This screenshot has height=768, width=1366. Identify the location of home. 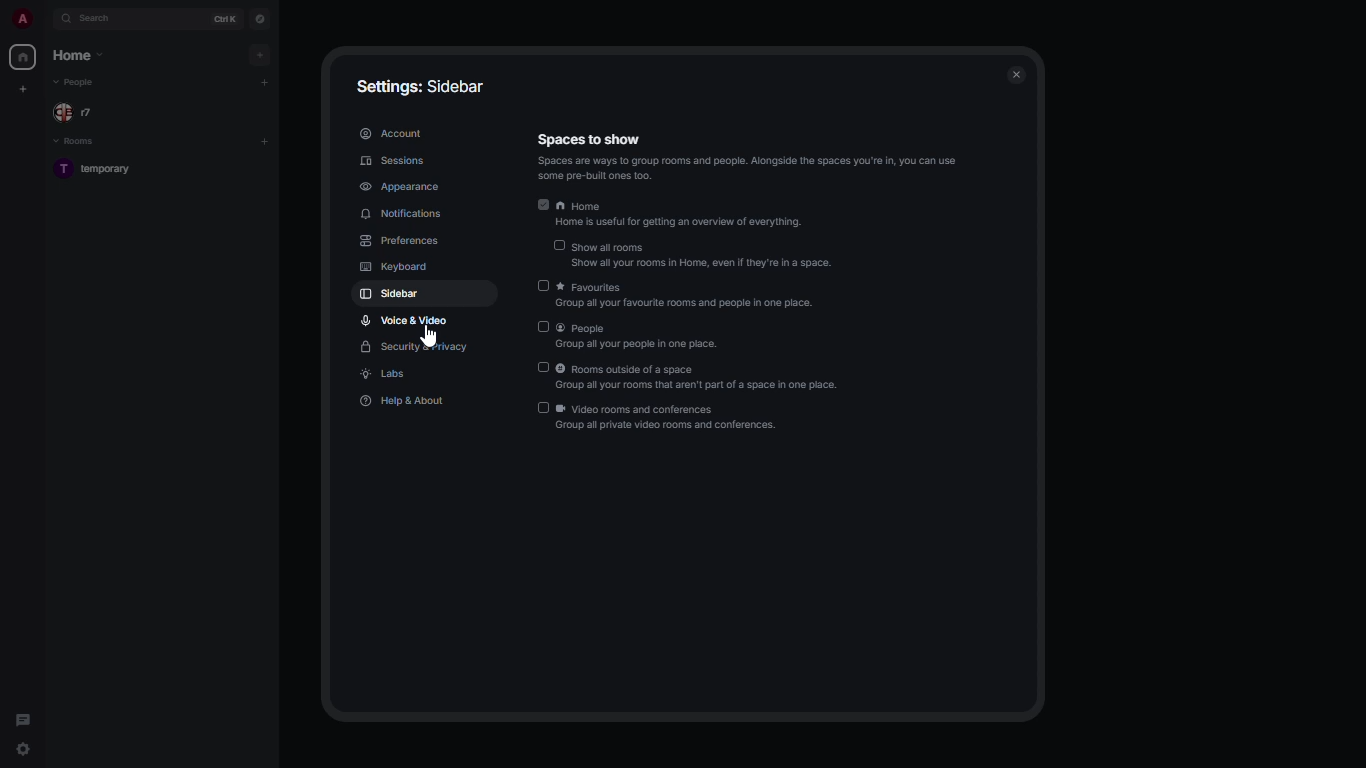
(82, 55).